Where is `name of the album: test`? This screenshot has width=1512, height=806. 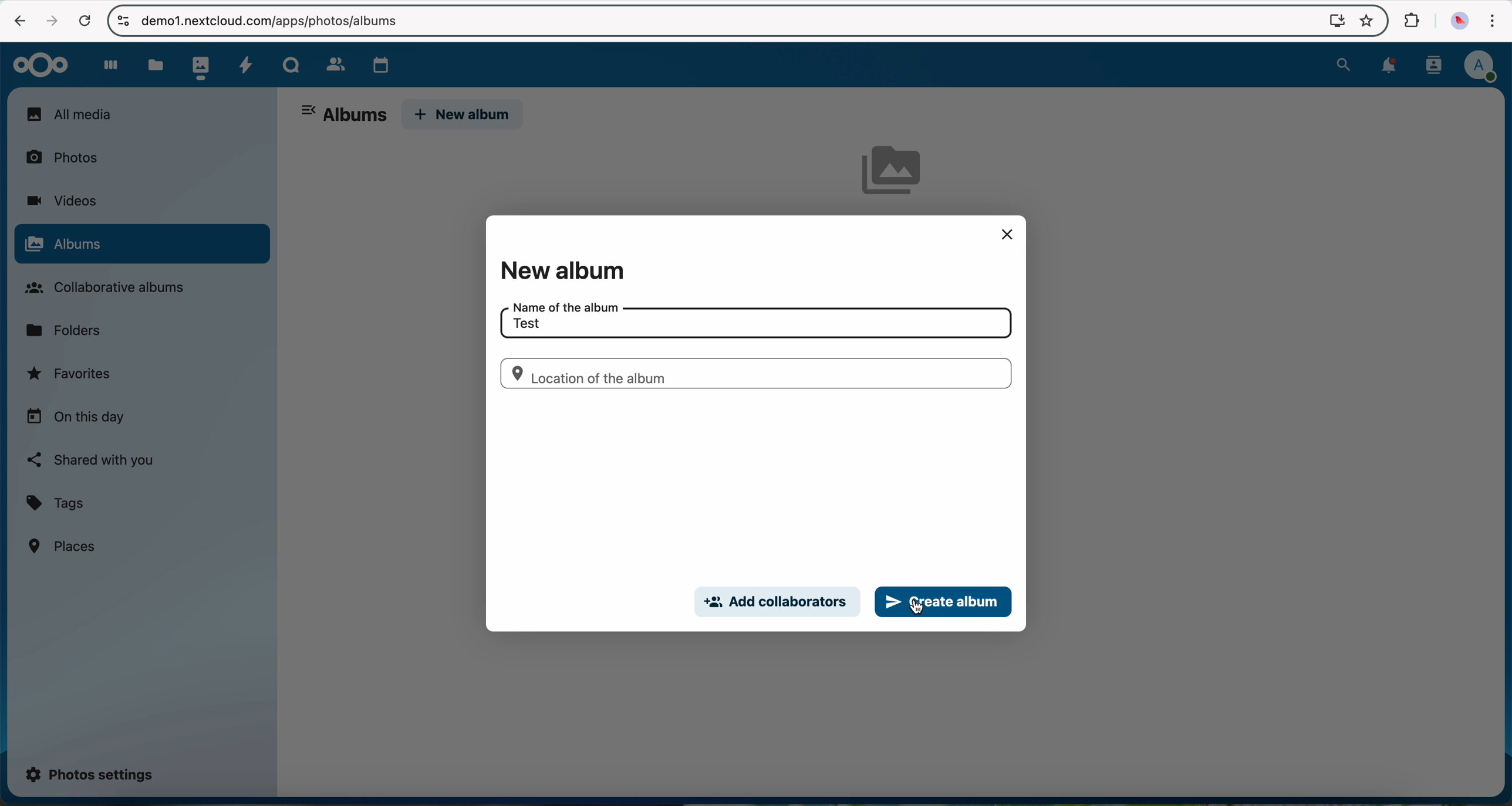
name of the album: test is located at coordinates (527, 323).